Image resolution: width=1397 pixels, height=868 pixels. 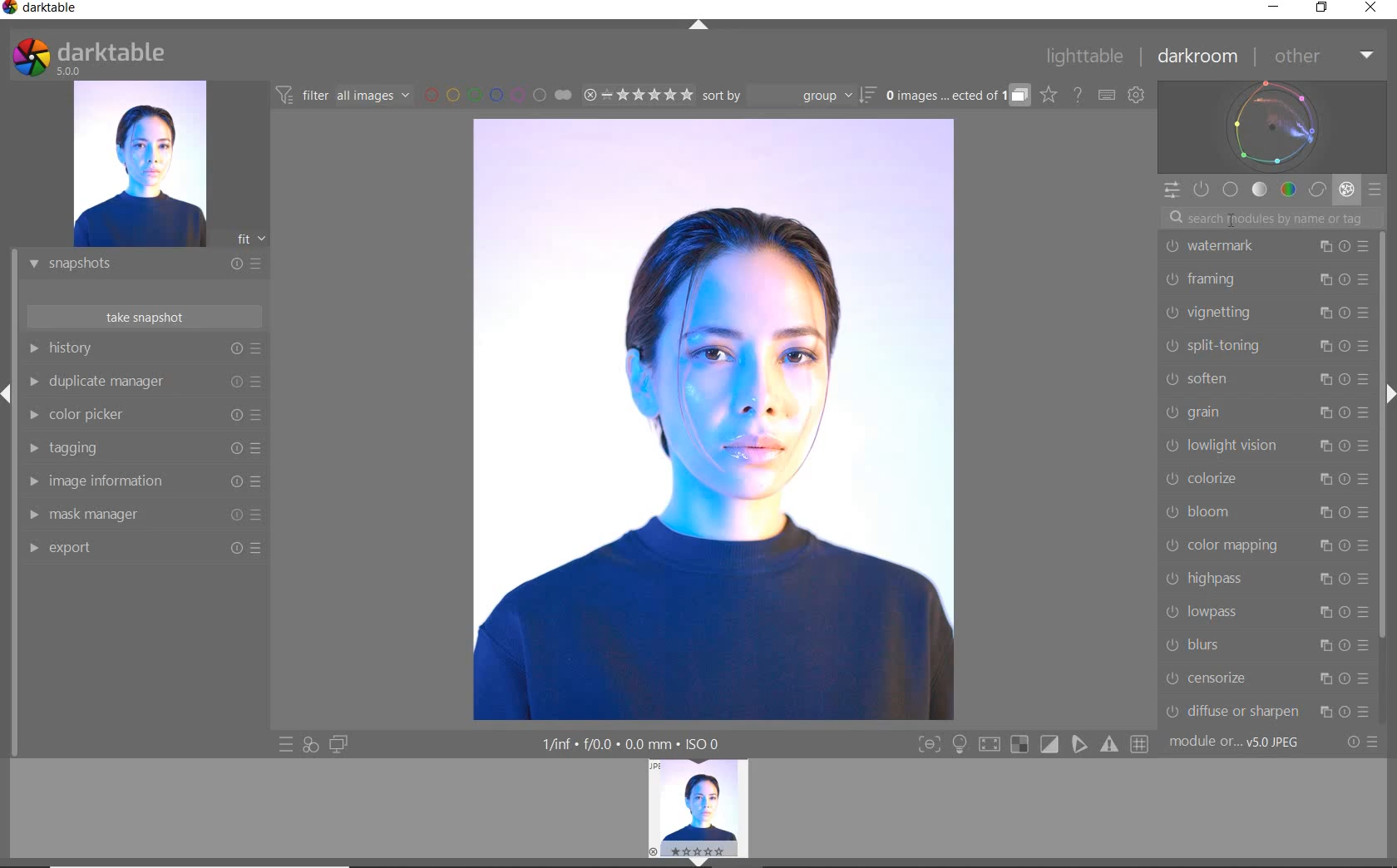 I want to click on BLOOM, so click(x=1265, y=512).